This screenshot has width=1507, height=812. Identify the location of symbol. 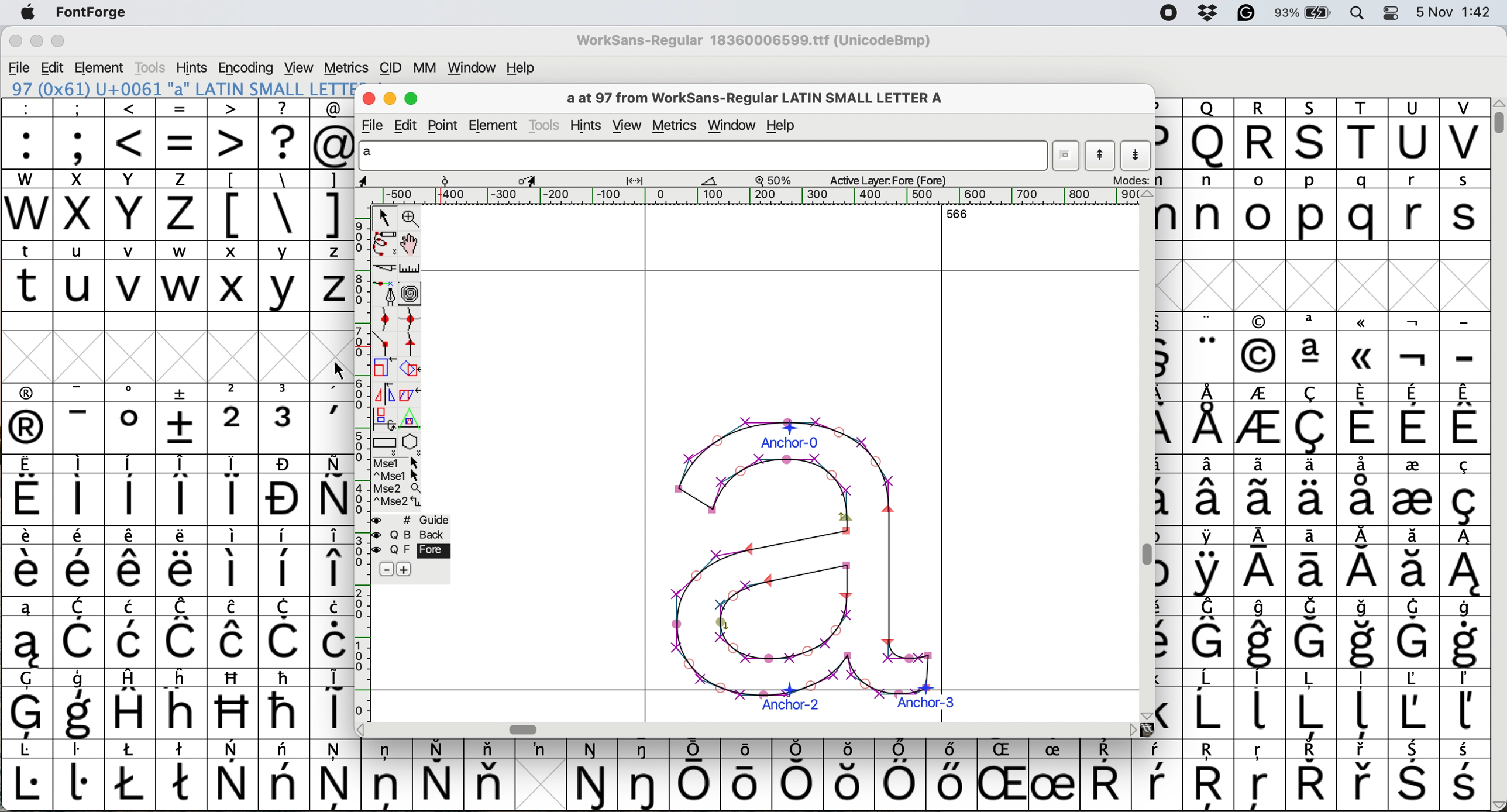
(1208, 562).